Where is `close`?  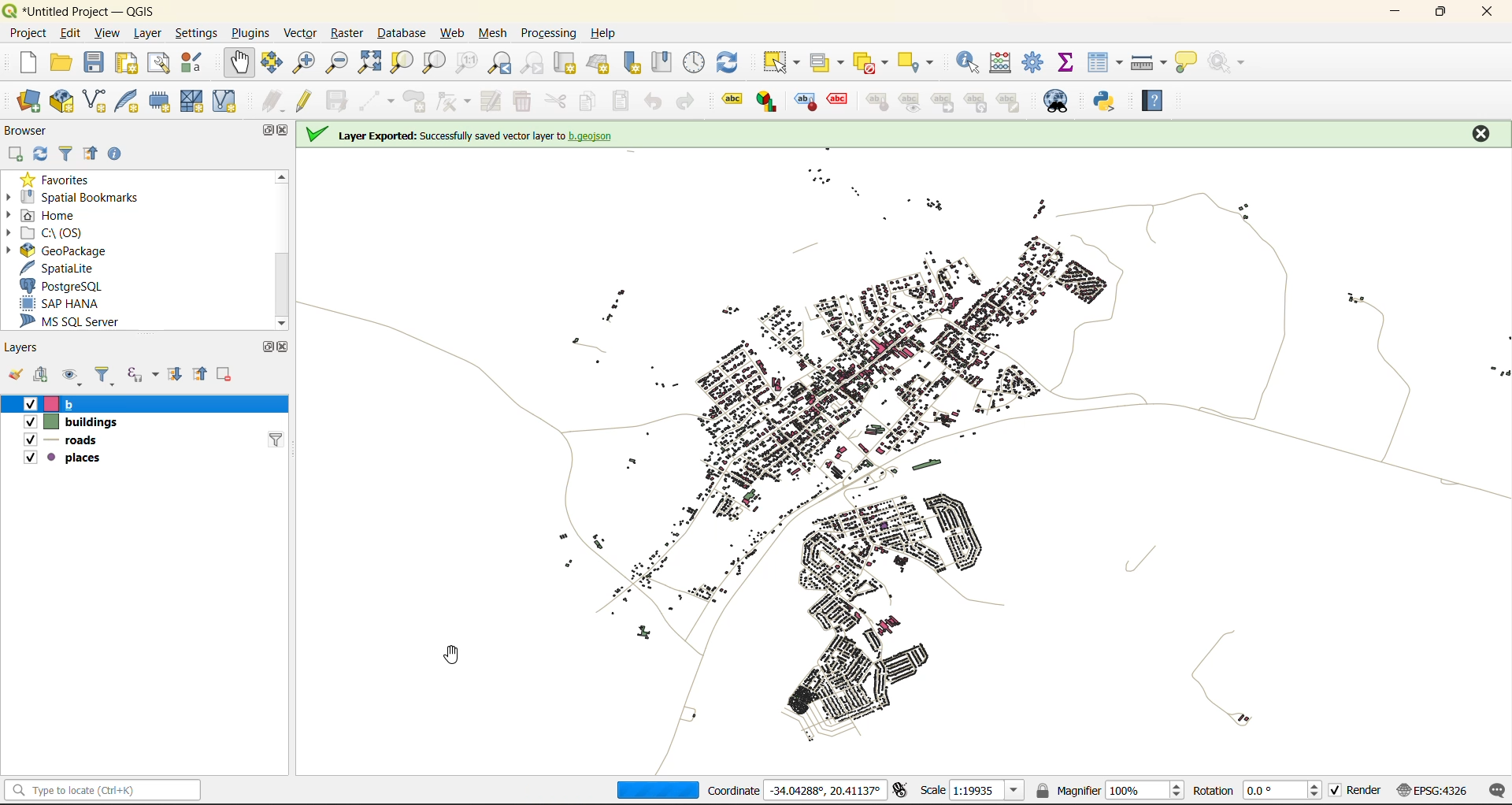 close is located at coordinates (288, 132).